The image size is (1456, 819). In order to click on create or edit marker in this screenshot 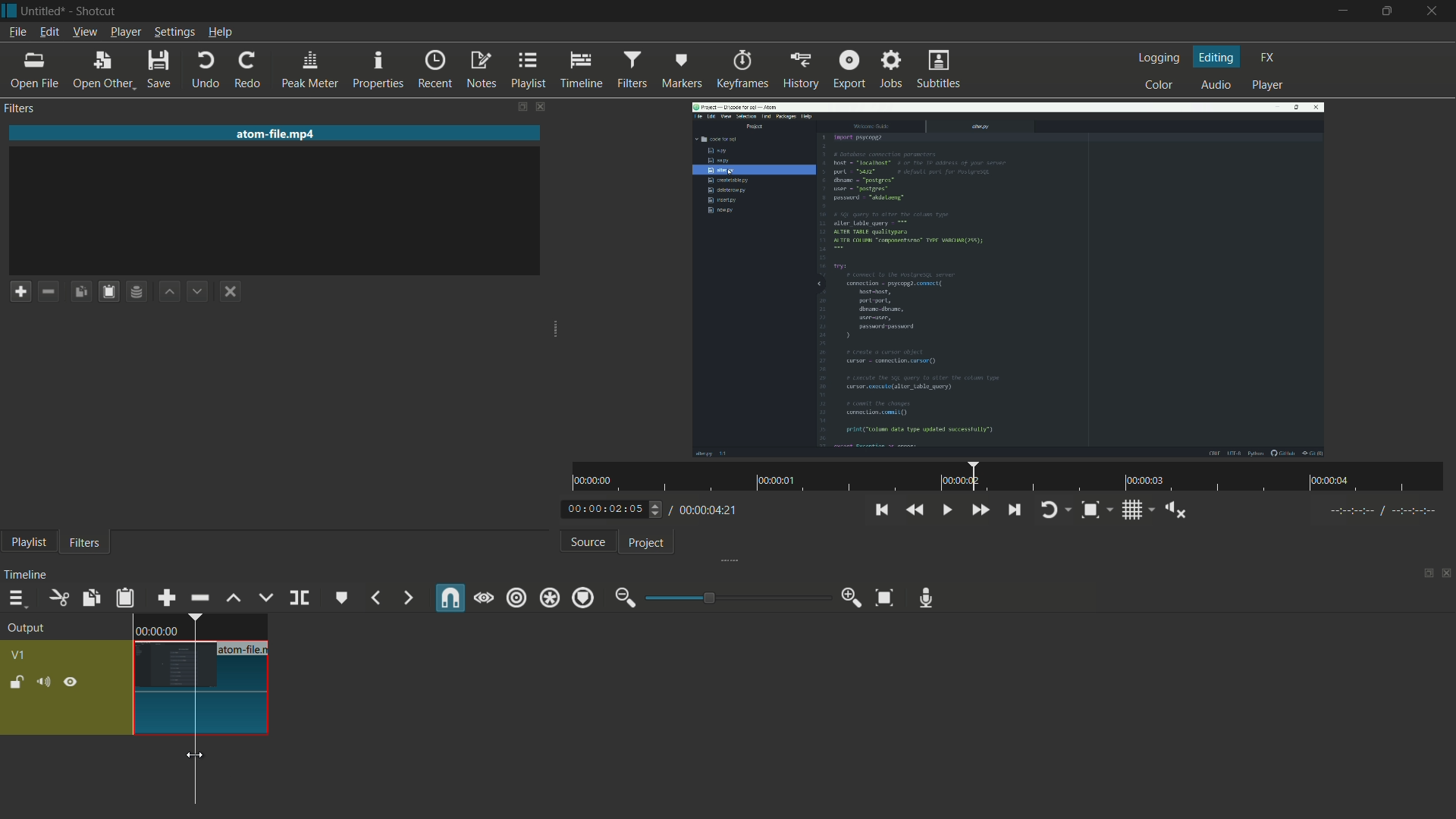, I will do `click(340, 598)`.